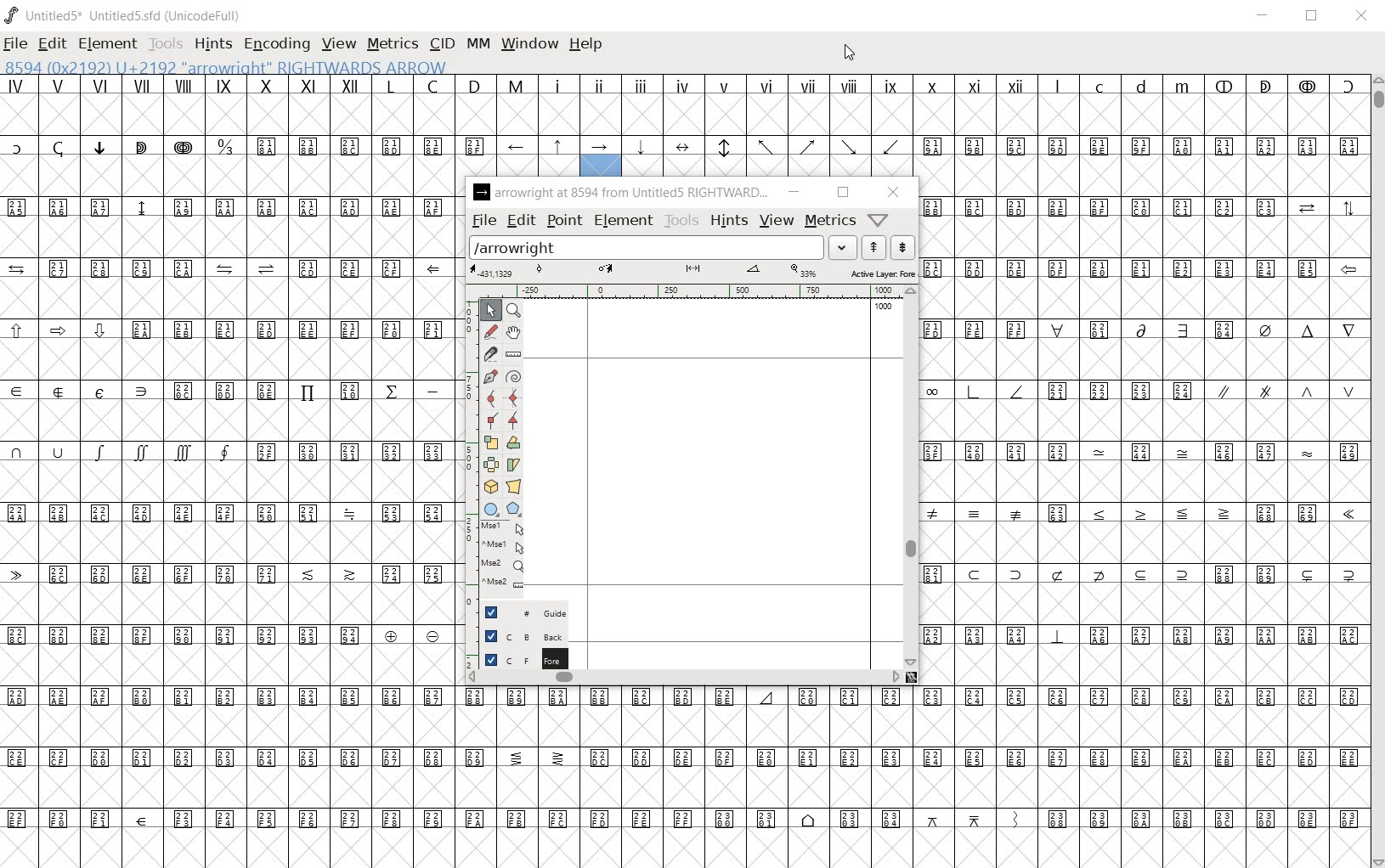  What do you see at coordinates (515, 444) in the screenshot?
I see `rotate the selection` at bounding box center [515, 444].